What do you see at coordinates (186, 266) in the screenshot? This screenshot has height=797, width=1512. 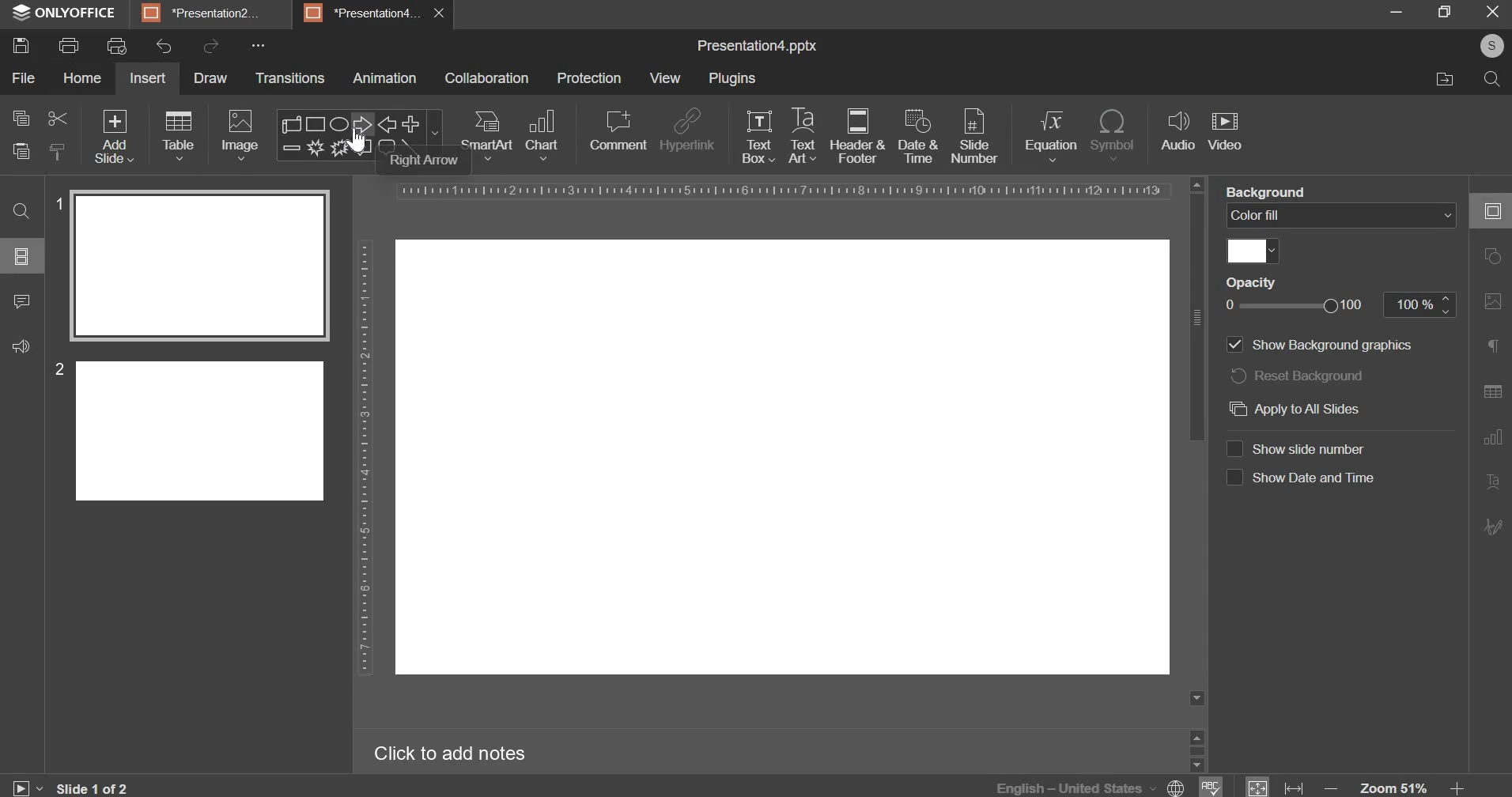 I see `slide 1` at bounding box center [186, 266].